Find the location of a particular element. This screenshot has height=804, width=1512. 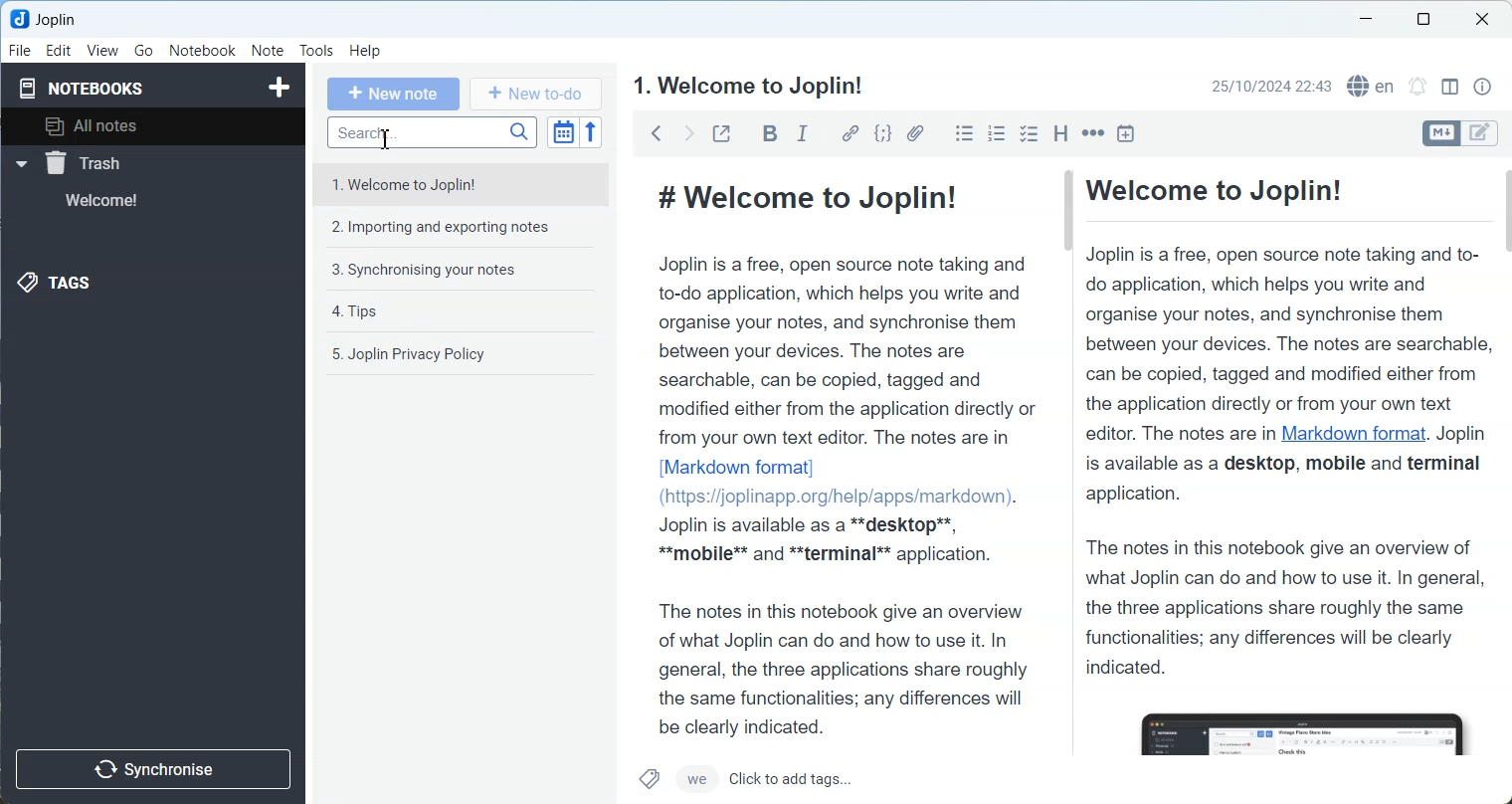

Tips is located at coordinates (466, 312).